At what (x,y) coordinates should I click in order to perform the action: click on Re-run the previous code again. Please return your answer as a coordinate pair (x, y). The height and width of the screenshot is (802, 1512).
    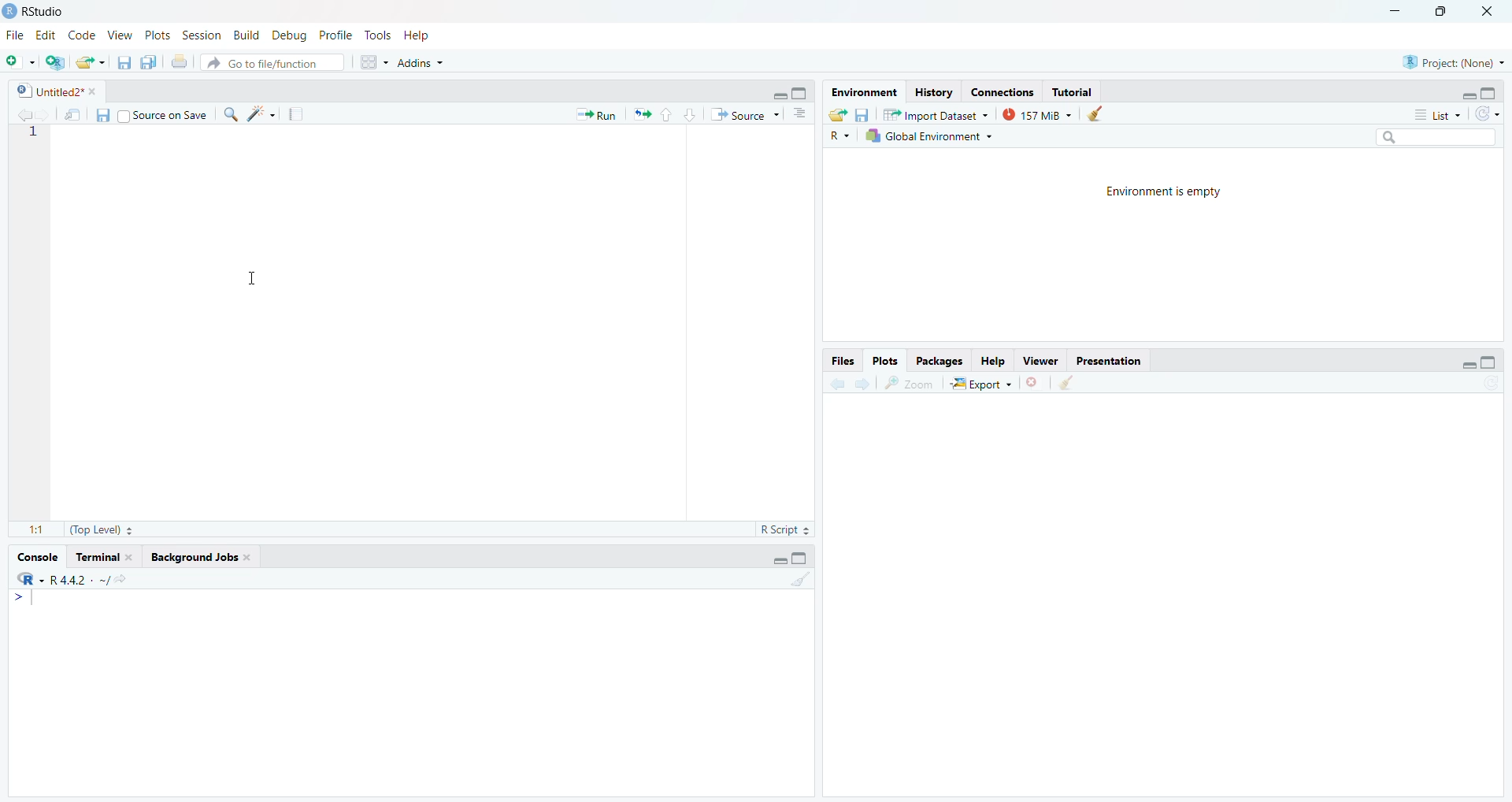
    Looking at the image, I should click on (642, 115).